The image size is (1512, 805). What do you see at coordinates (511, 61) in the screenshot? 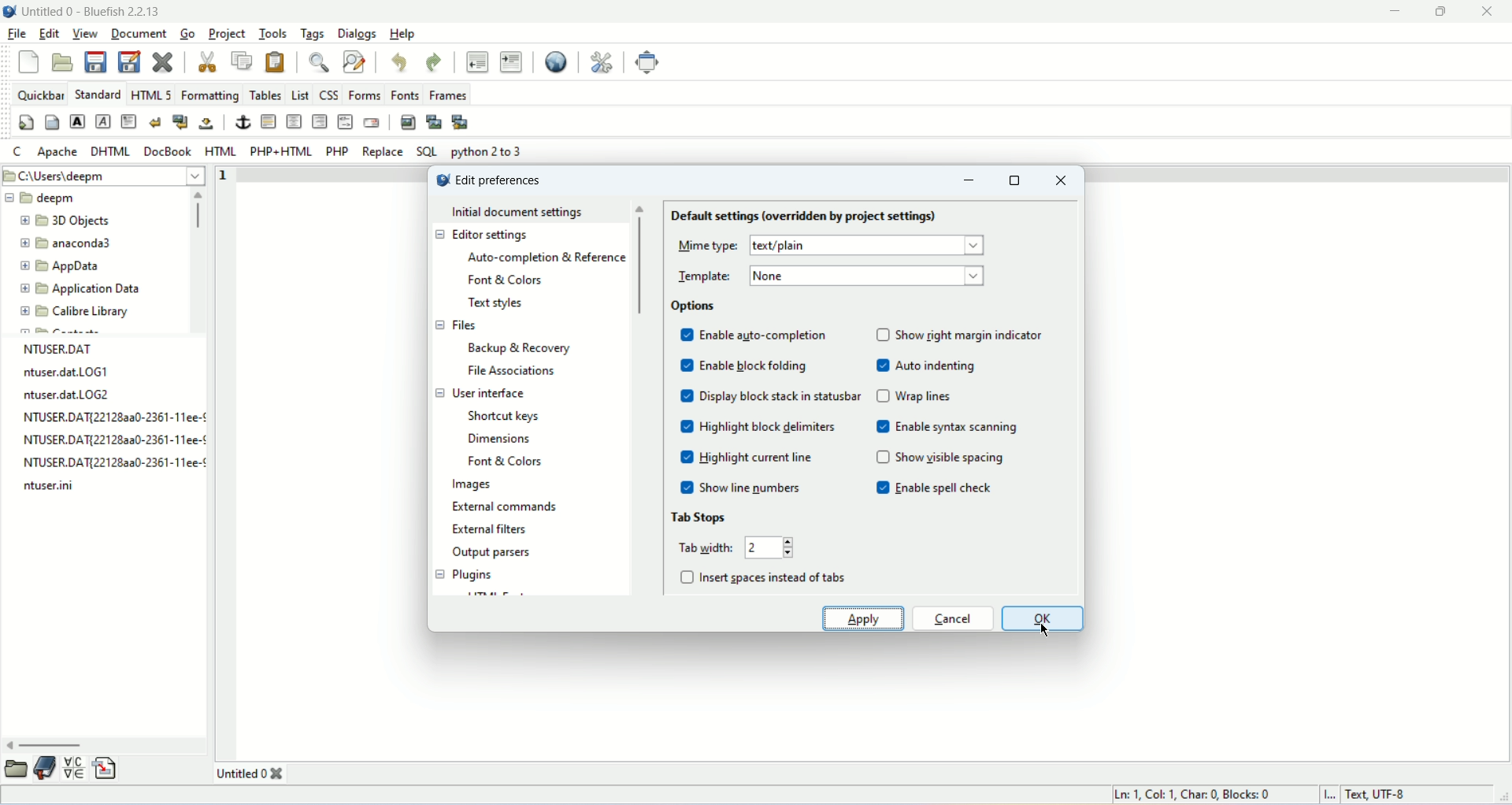
I see `indent` at bounding box center [511, 61].